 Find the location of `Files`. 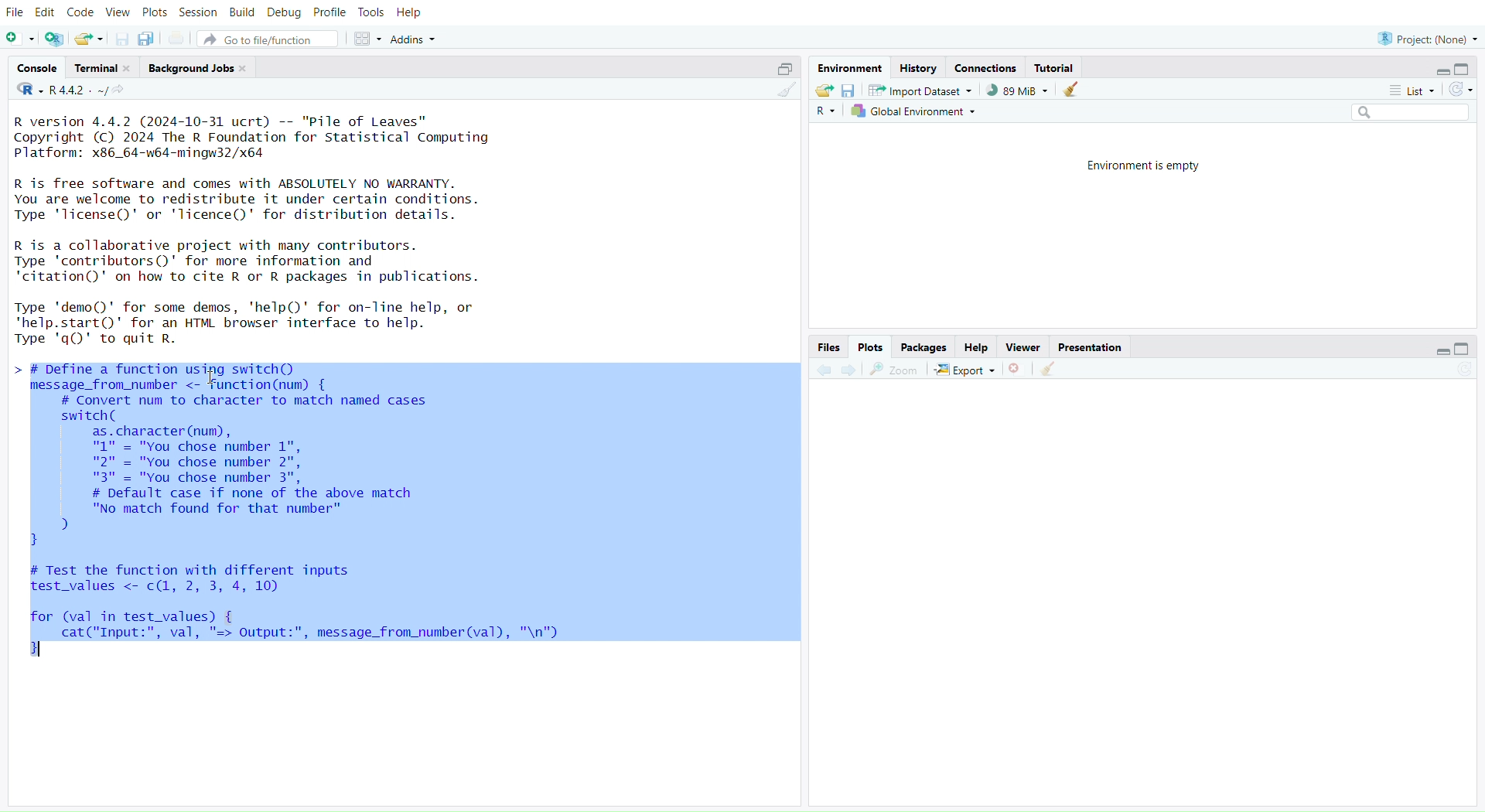

Files is located at coordinates (828, 346).